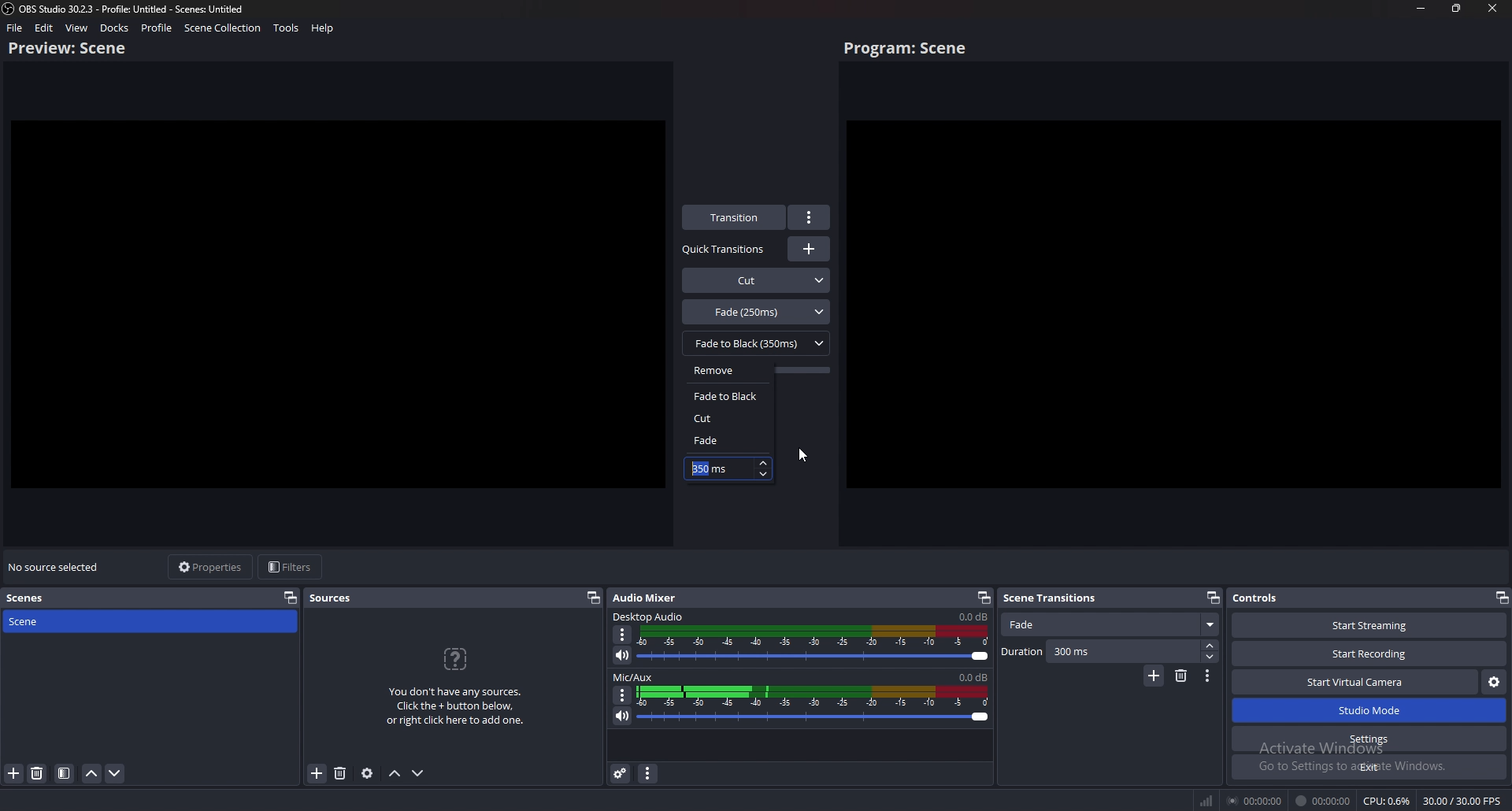 The height and width of the screenshot is (811, 1512). Describe the element at coordinates (765, 475) in the screenshot. I see `decrease duration` at that location.